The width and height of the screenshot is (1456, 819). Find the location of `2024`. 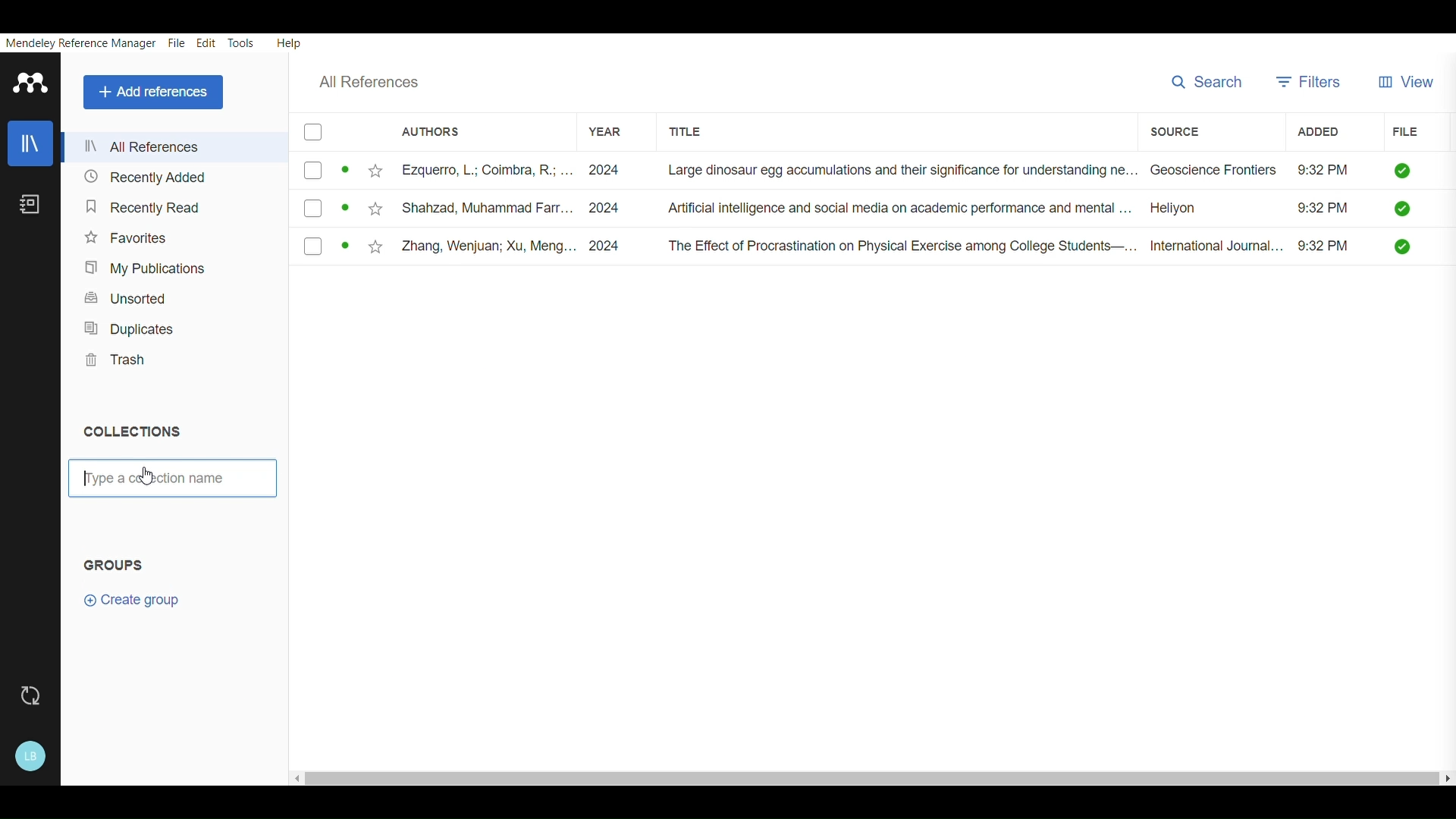

2024 is located at coordinates (607, 207).